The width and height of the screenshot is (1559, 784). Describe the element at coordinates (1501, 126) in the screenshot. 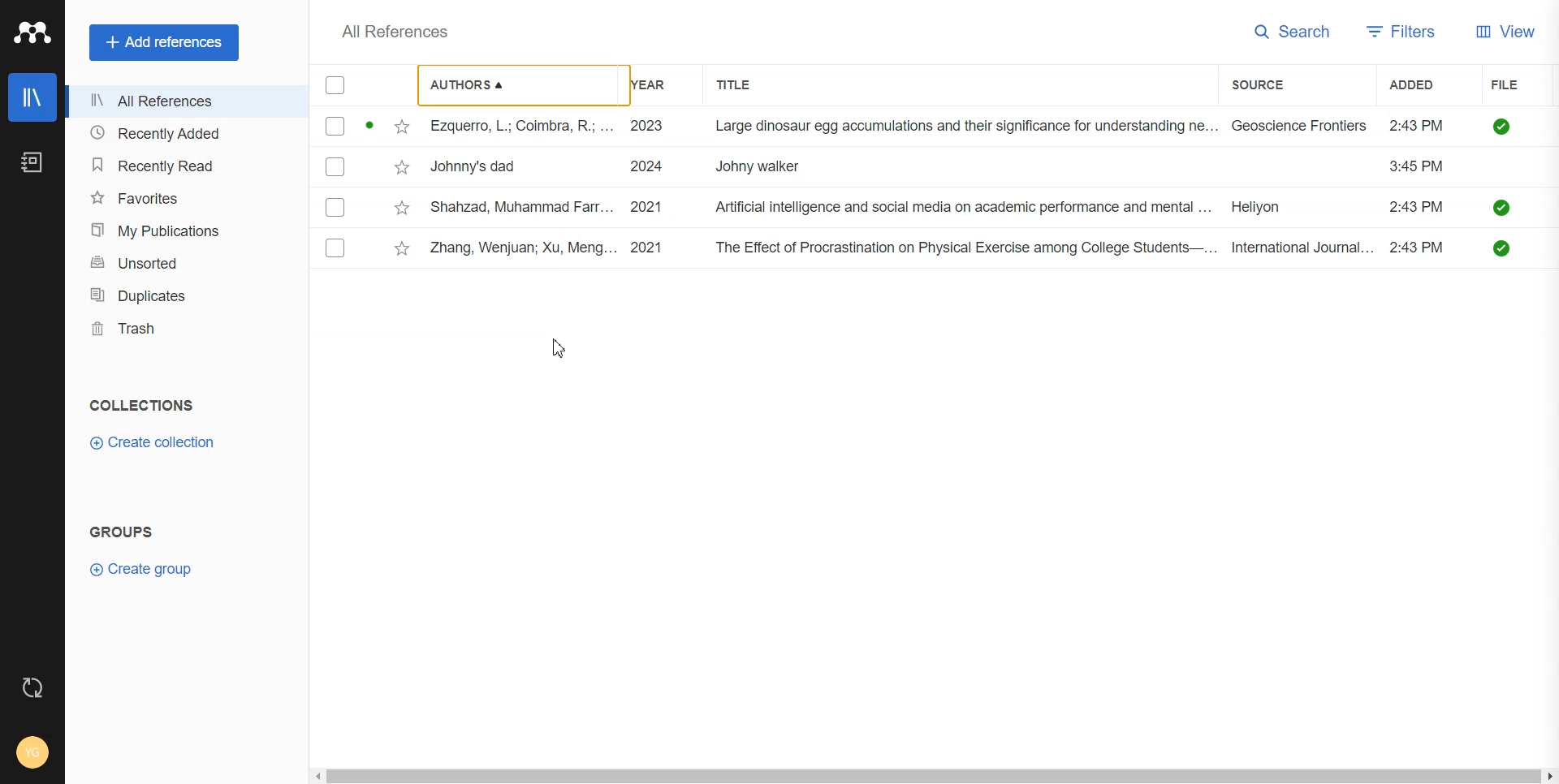

I see `download Check` at that location.